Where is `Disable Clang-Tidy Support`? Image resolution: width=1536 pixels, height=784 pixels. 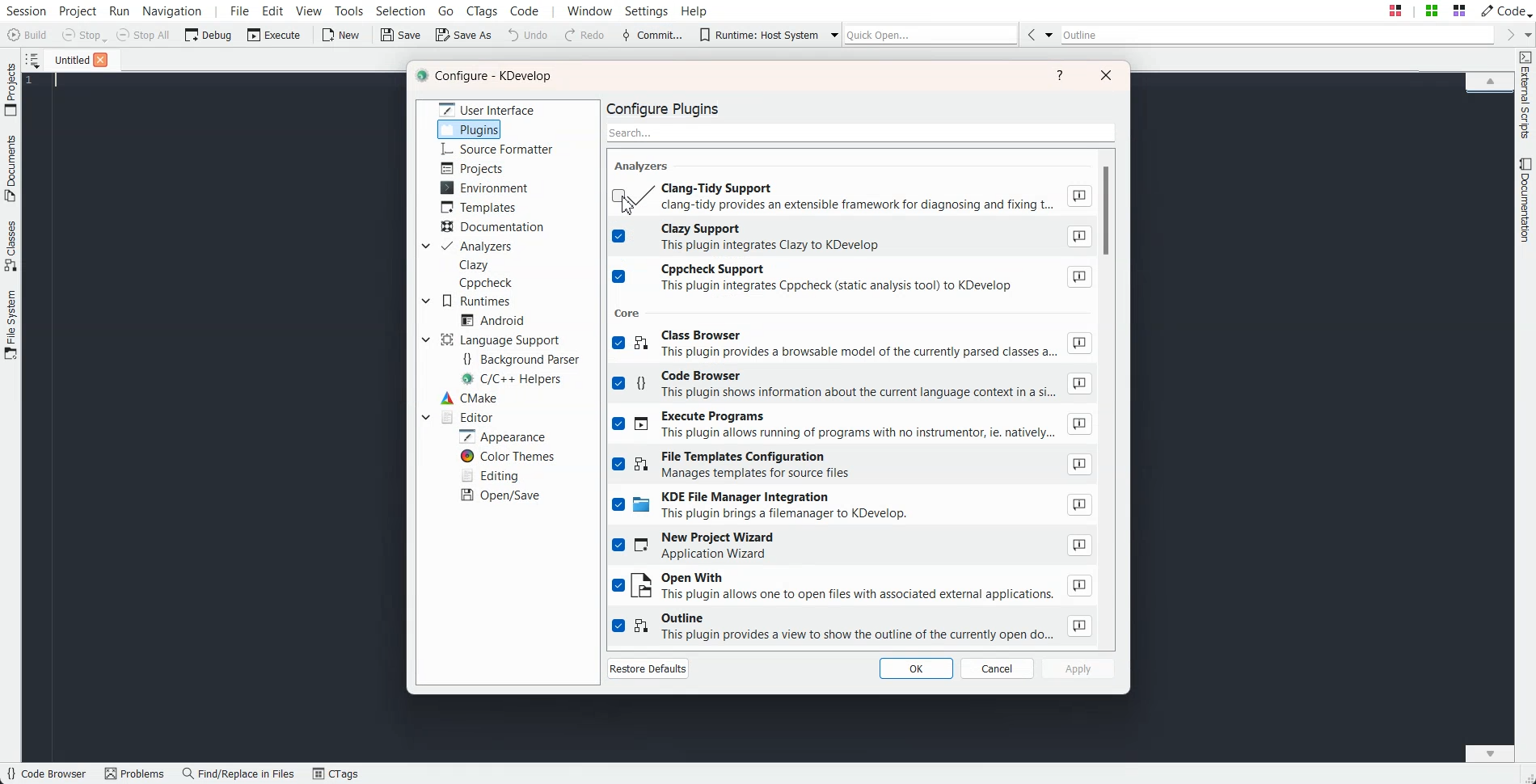
Disable Clang-Tidy Support is located at coordinates (850, 196).